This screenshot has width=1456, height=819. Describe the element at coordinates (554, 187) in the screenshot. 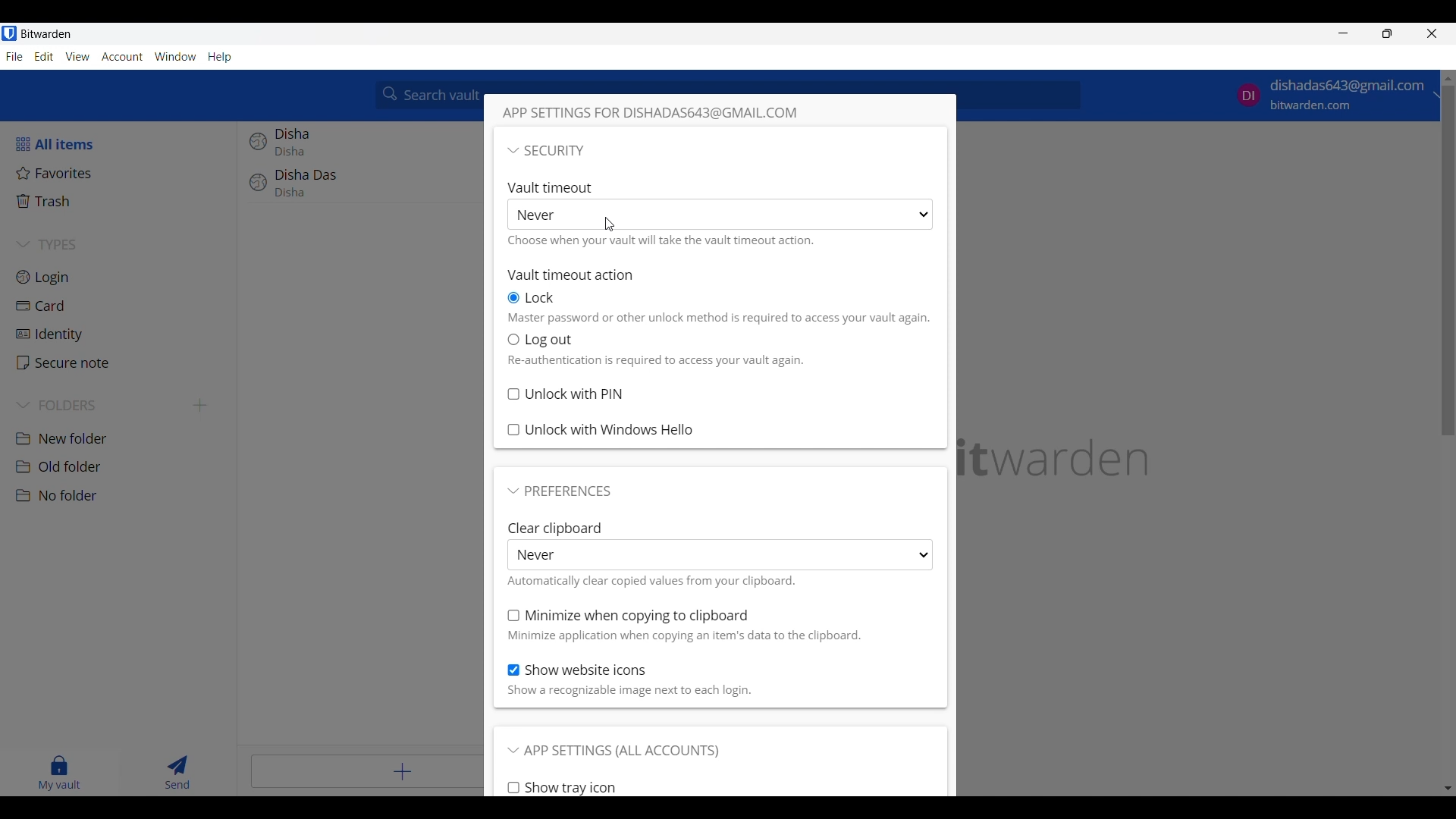

I see `Vault timeout` at that location.